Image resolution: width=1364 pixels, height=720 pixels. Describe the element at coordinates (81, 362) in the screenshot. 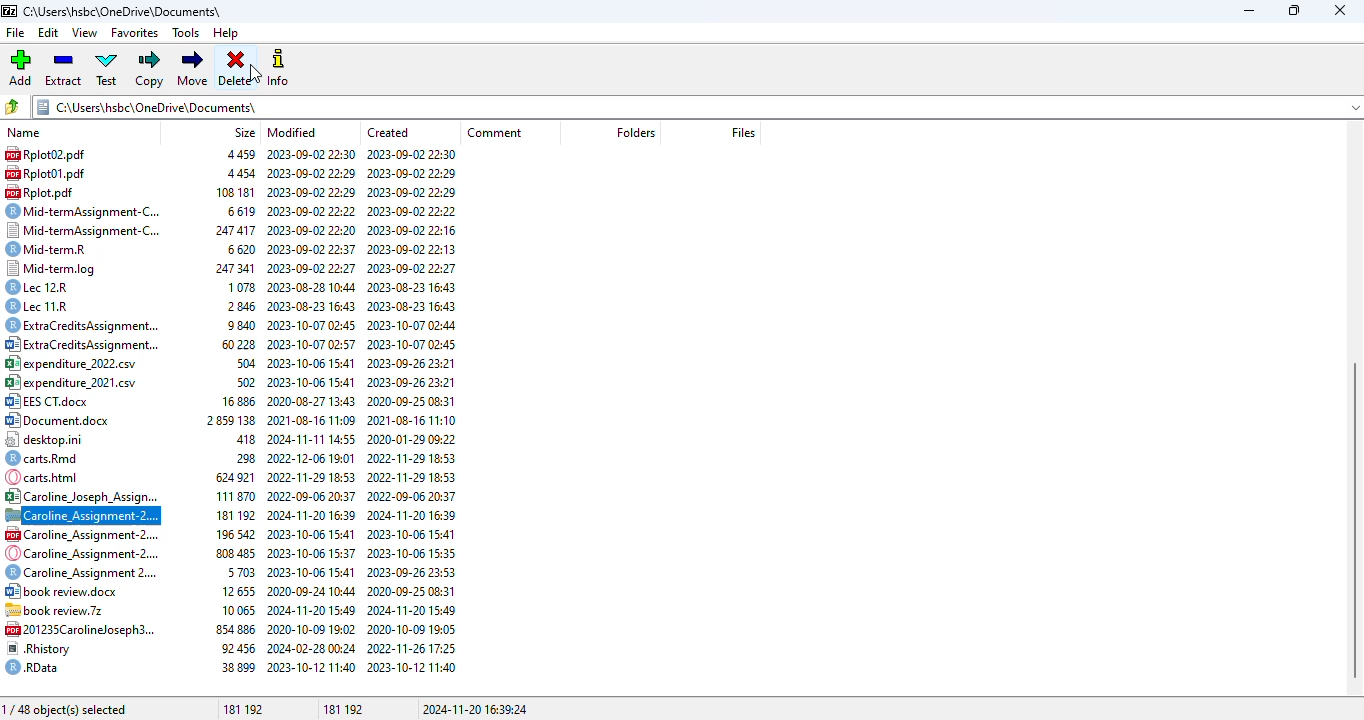

I see ` expenditure 2022.csv` at that location.